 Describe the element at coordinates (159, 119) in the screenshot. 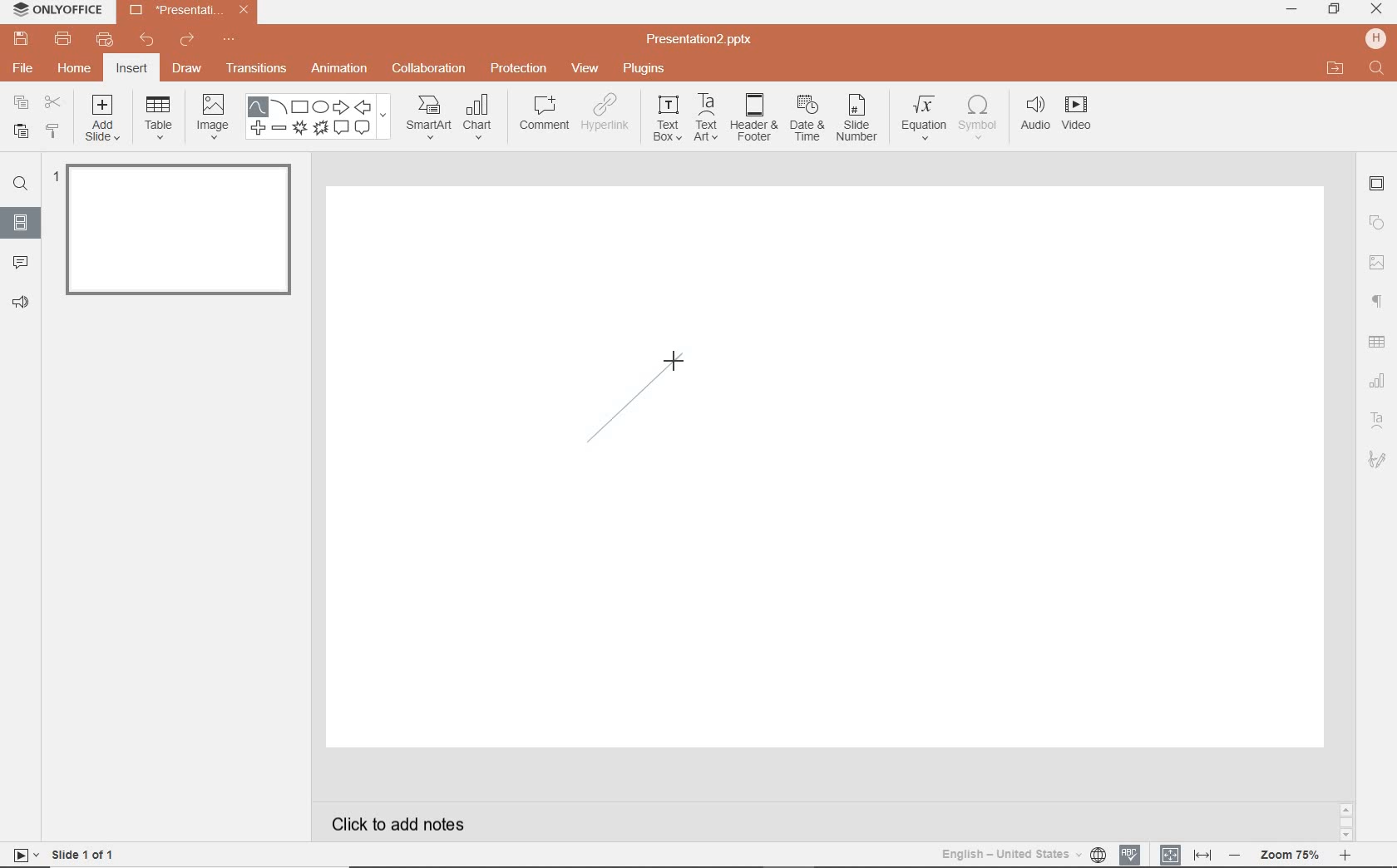

I see `TABLE` at that location.